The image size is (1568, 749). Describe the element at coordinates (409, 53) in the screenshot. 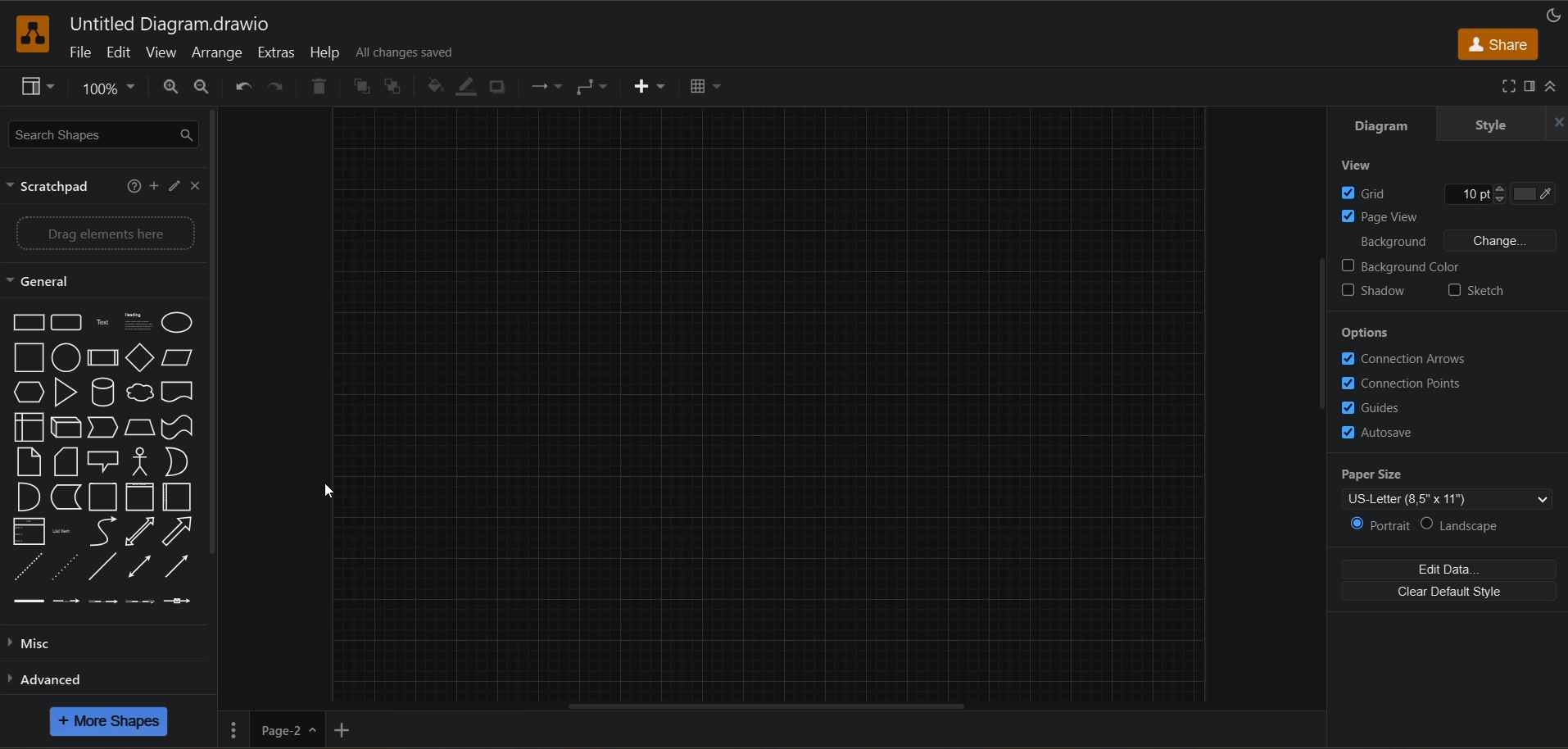

I see `all changes saved` at that location.